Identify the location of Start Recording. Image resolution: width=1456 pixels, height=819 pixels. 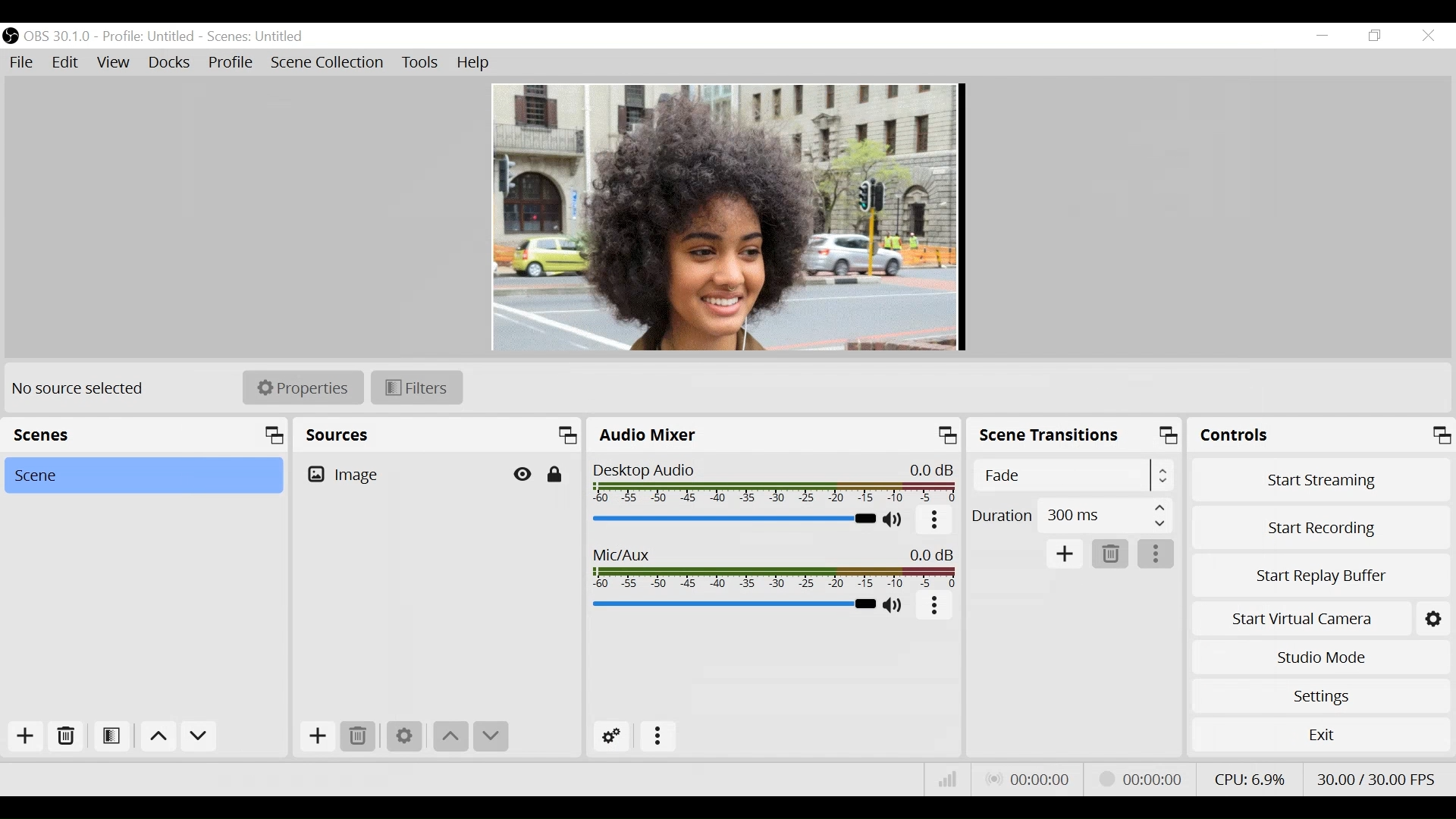
(1319, 527).